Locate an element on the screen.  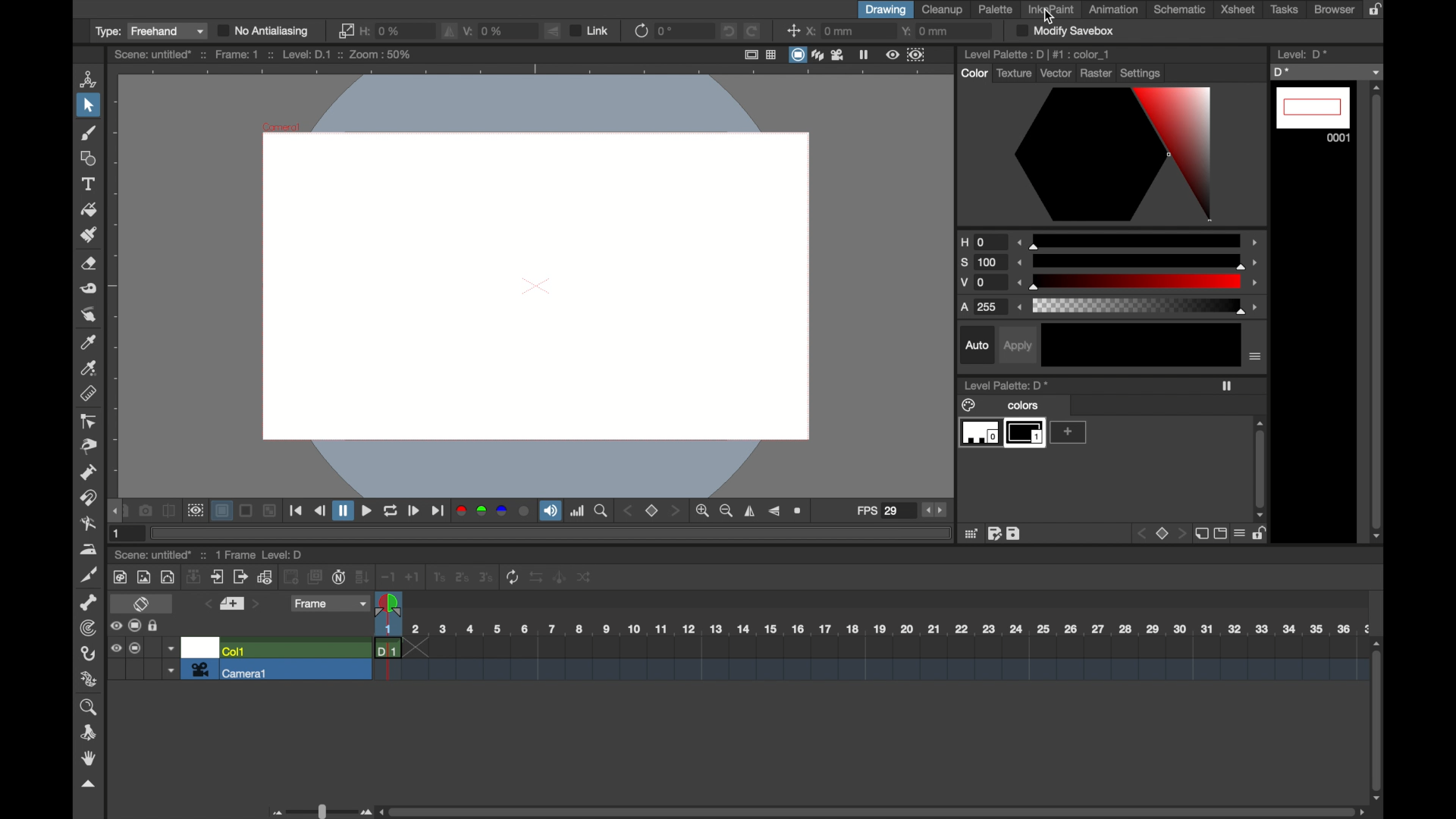
scale is located at coordinates (1137, 308).